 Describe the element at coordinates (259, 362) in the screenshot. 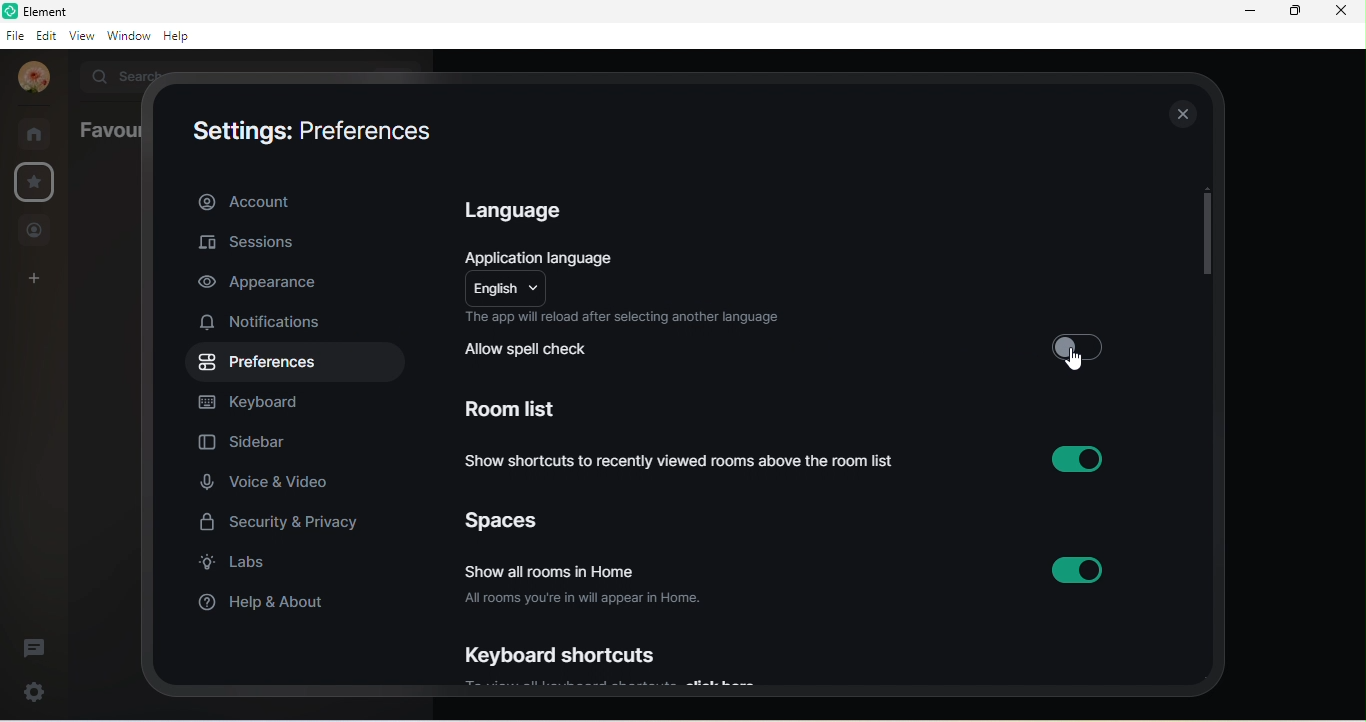

I see `preferences` at that location.